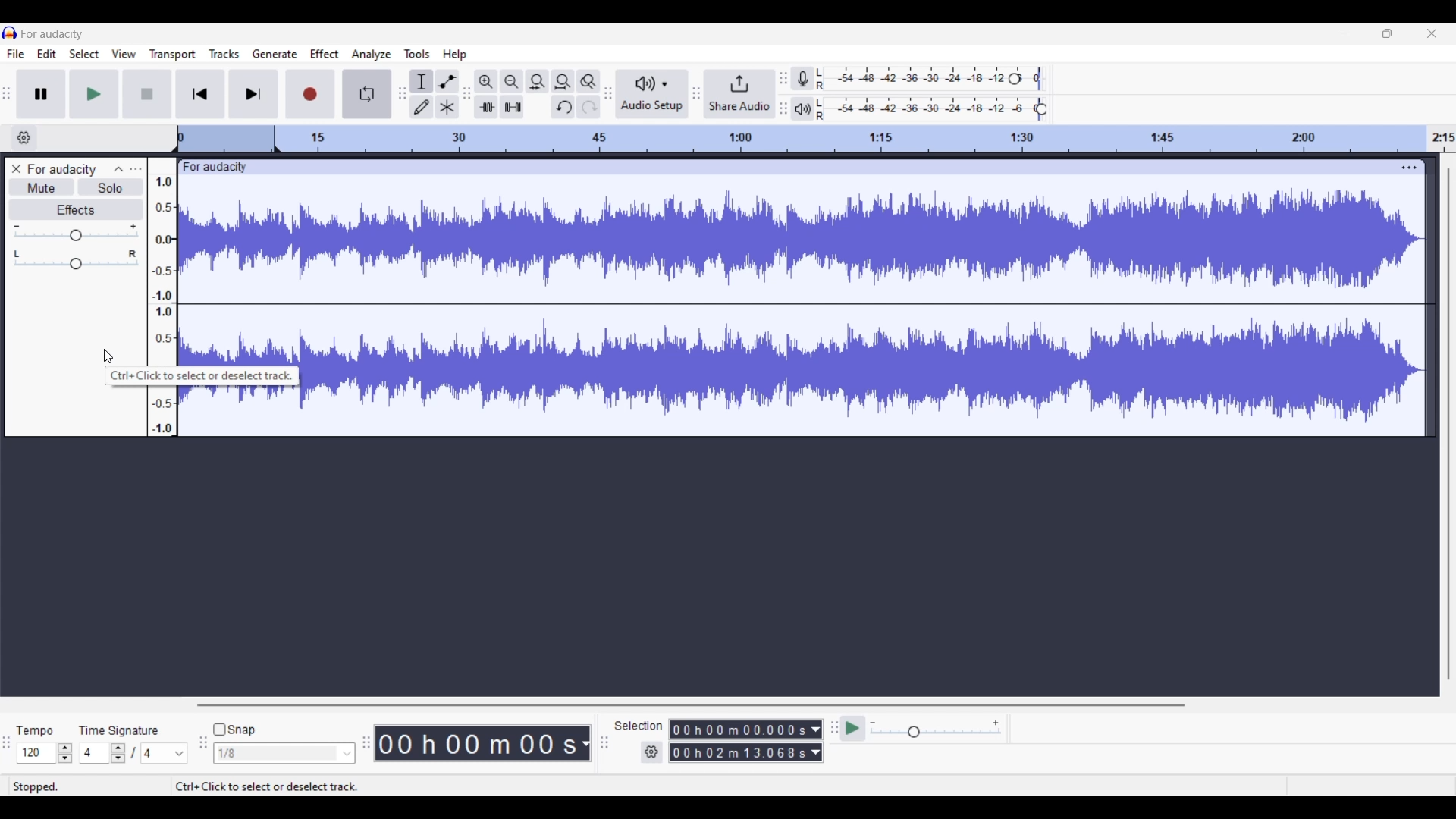 The width and height of the screenshot is (1456, 819). I want to click on Selection duration, so click(739, 742).